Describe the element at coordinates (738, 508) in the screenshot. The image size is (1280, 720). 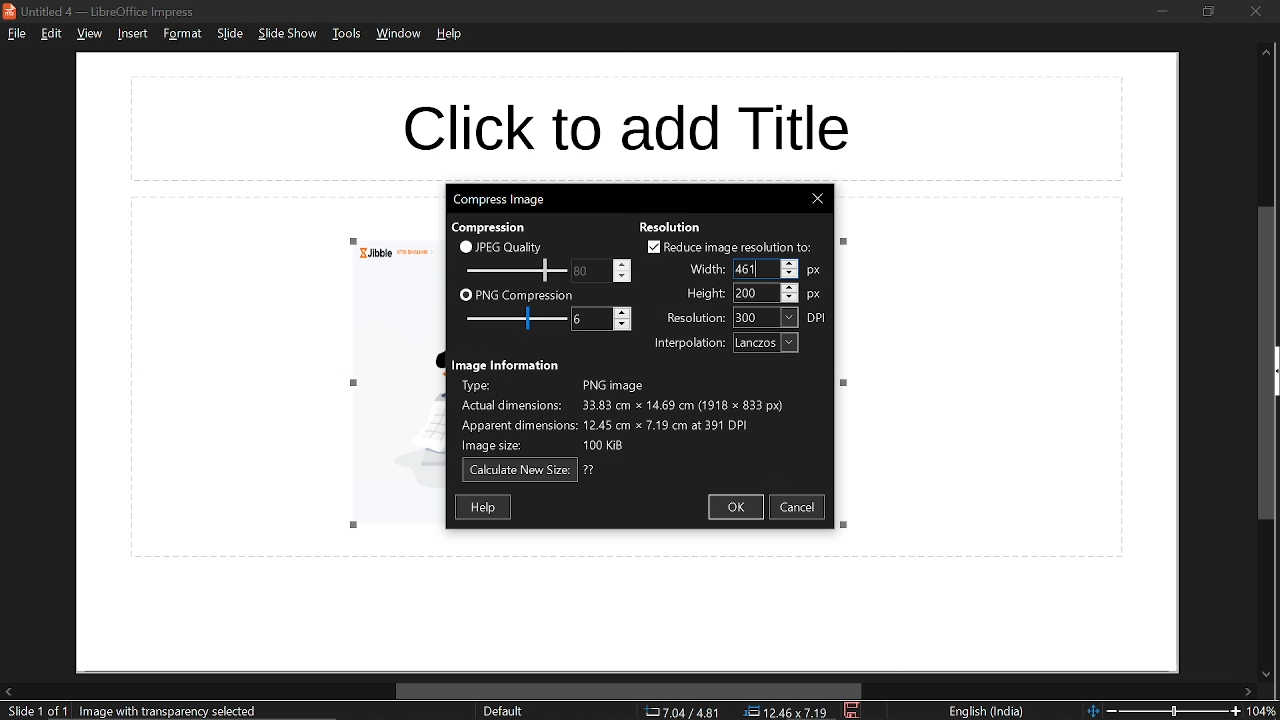
I see `ok` at that location.